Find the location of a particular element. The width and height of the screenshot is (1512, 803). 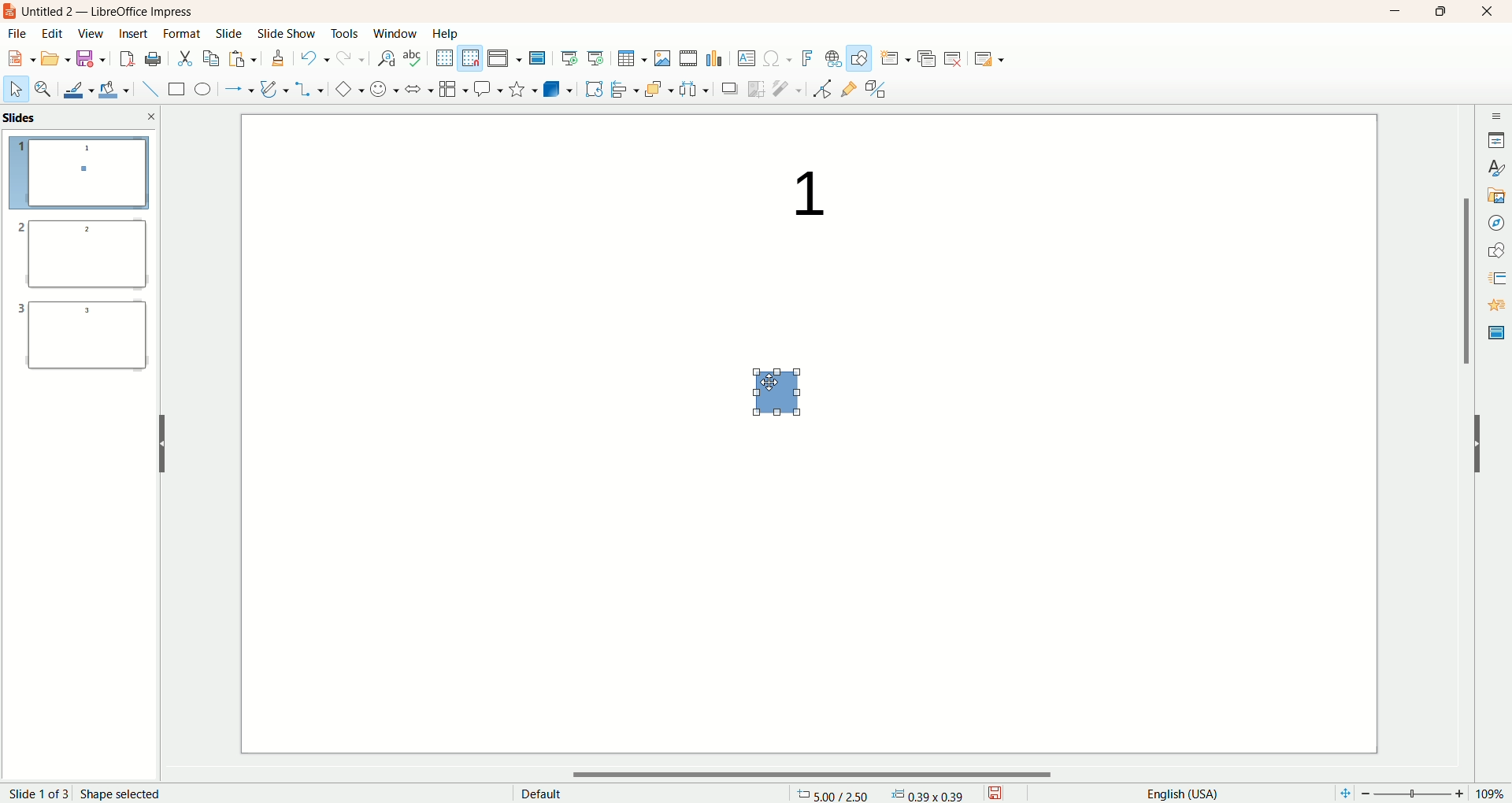

slide 2 is located at coordinates (79, 258).